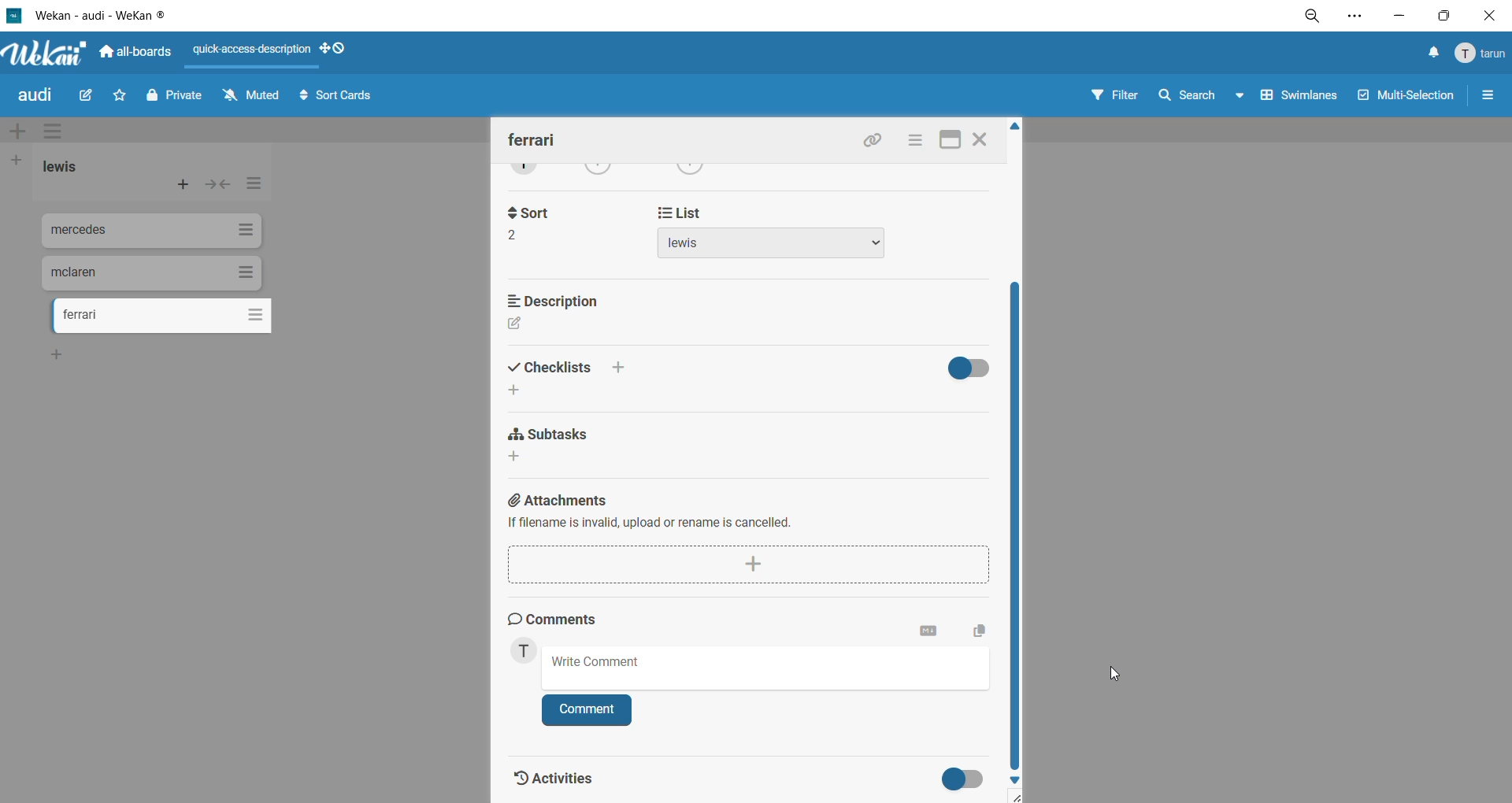  Describe the element at coordinates (1012, 525) in the screenshot. I see `vertical scroll  bar` at that location.